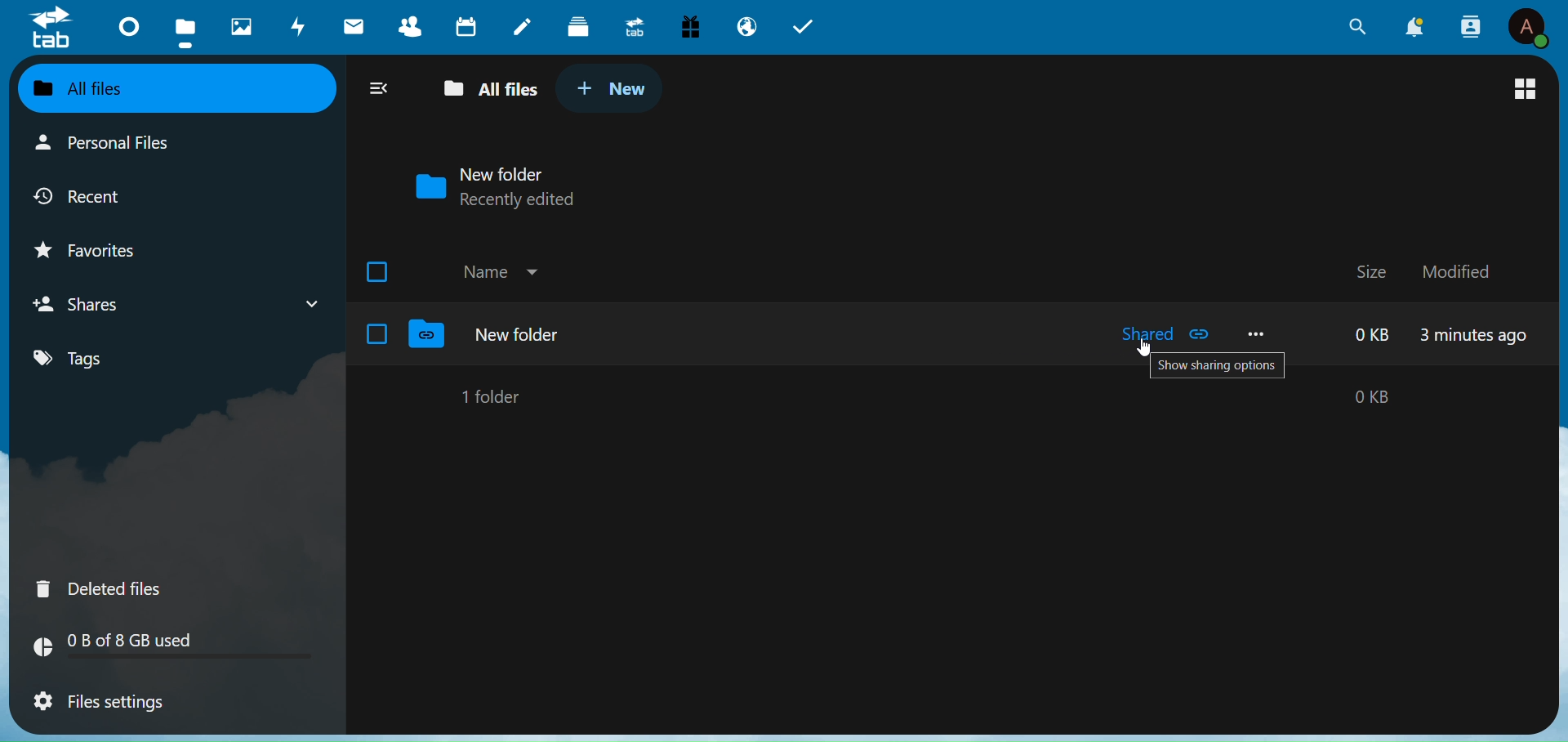 Image resolution: width=1568 pixels, height=742 pixels. Describe the element at coordinates (87, 303) in the screenshot. I see `Shares` at that location.